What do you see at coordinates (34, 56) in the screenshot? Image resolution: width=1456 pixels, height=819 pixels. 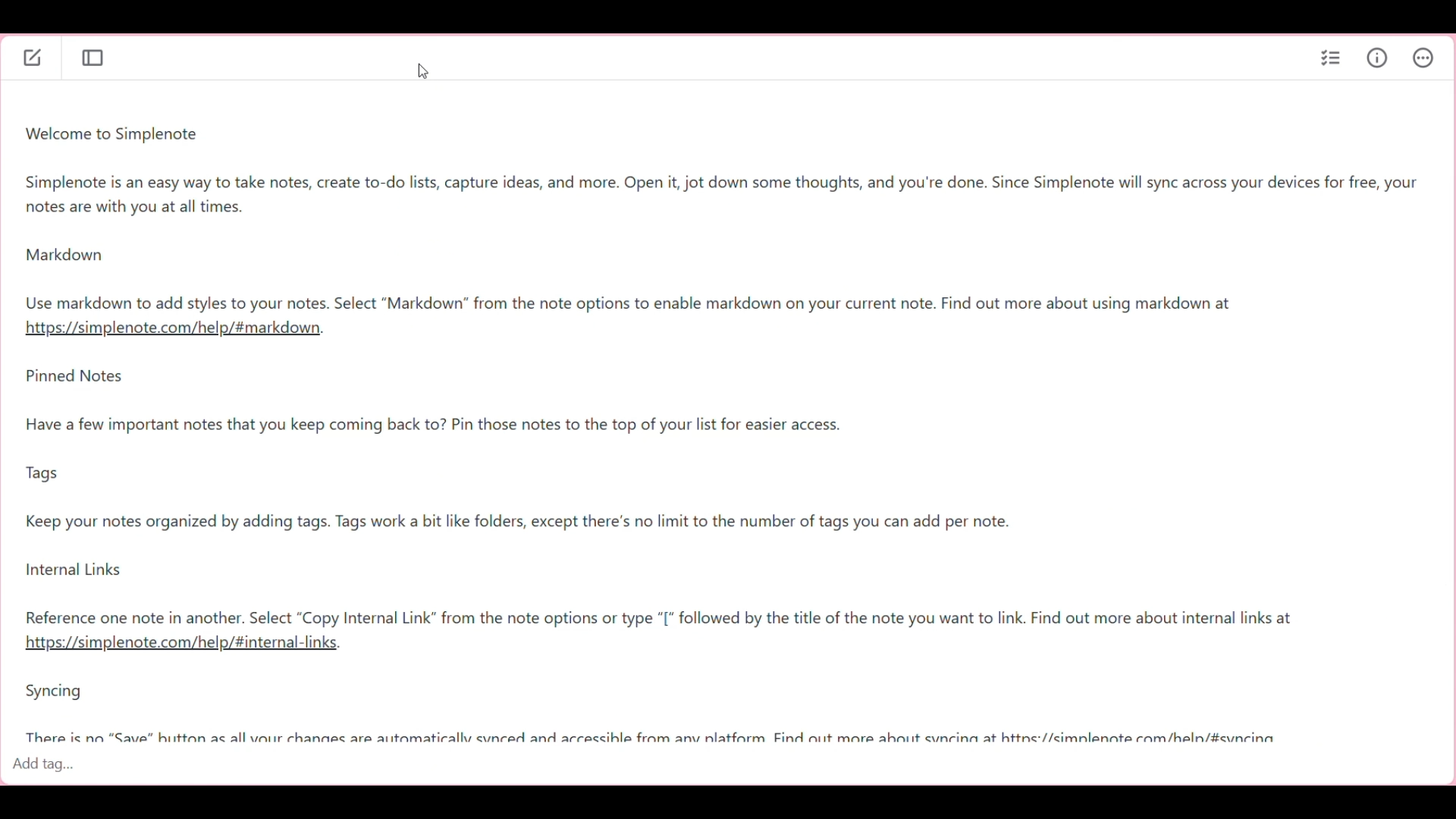 I see `Click to add note` at bounding box center [34, 56].